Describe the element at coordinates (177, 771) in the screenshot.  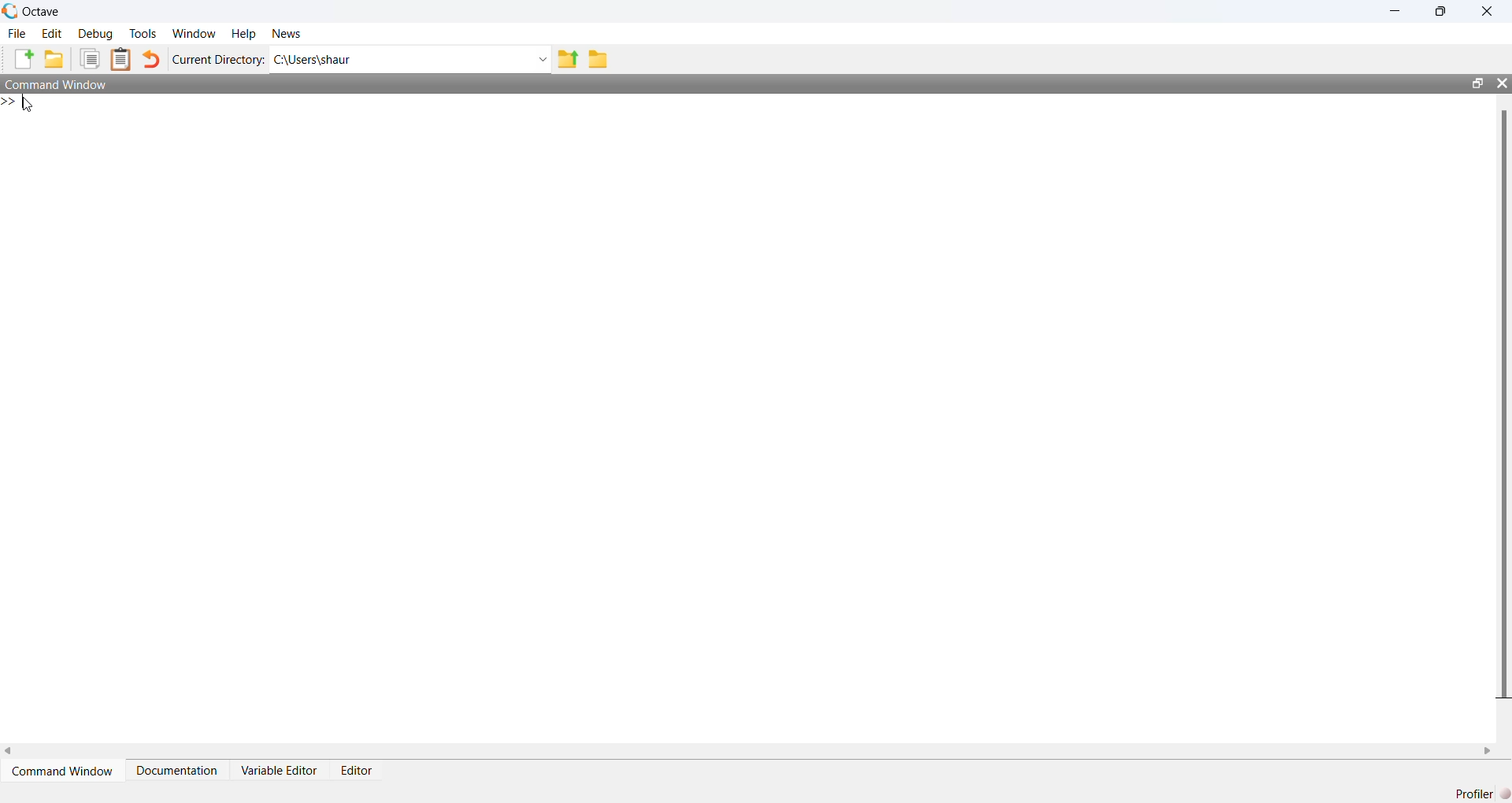
I see `Documentation` at that location.